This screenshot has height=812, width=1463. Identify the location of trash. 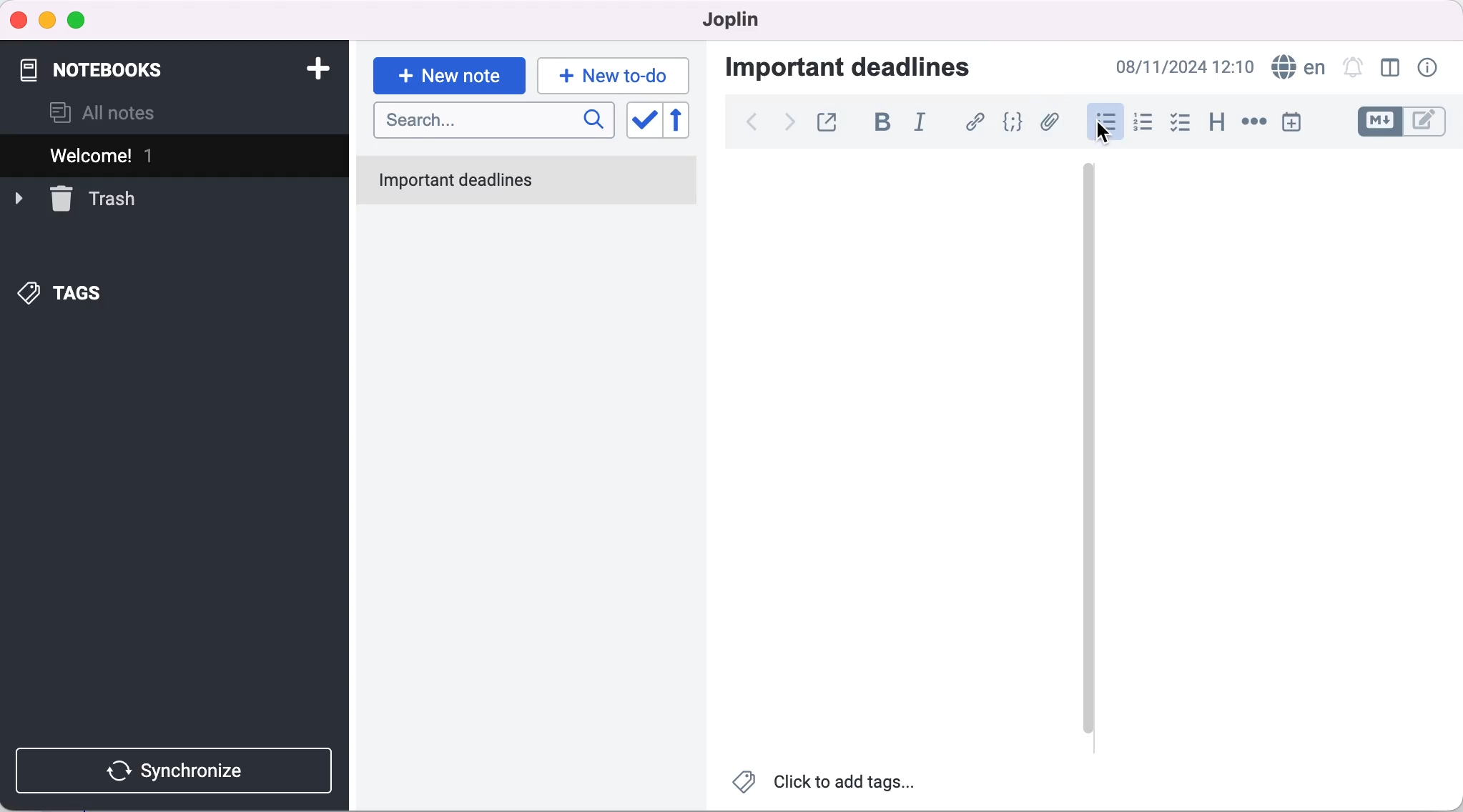
(94, 199).